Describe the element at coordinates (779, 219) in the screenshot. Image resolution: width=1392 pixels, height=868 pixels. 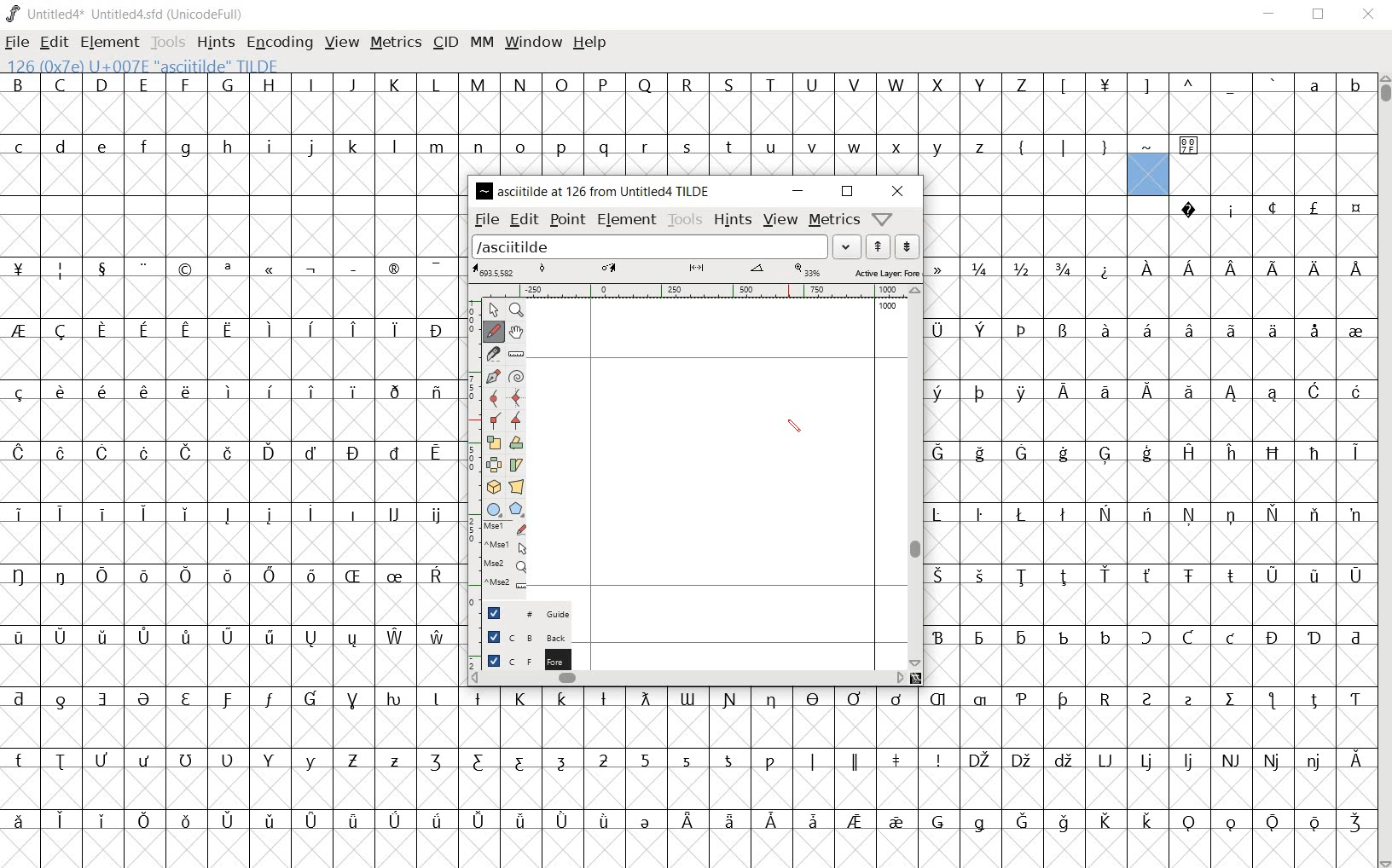
I see `view` at that location.